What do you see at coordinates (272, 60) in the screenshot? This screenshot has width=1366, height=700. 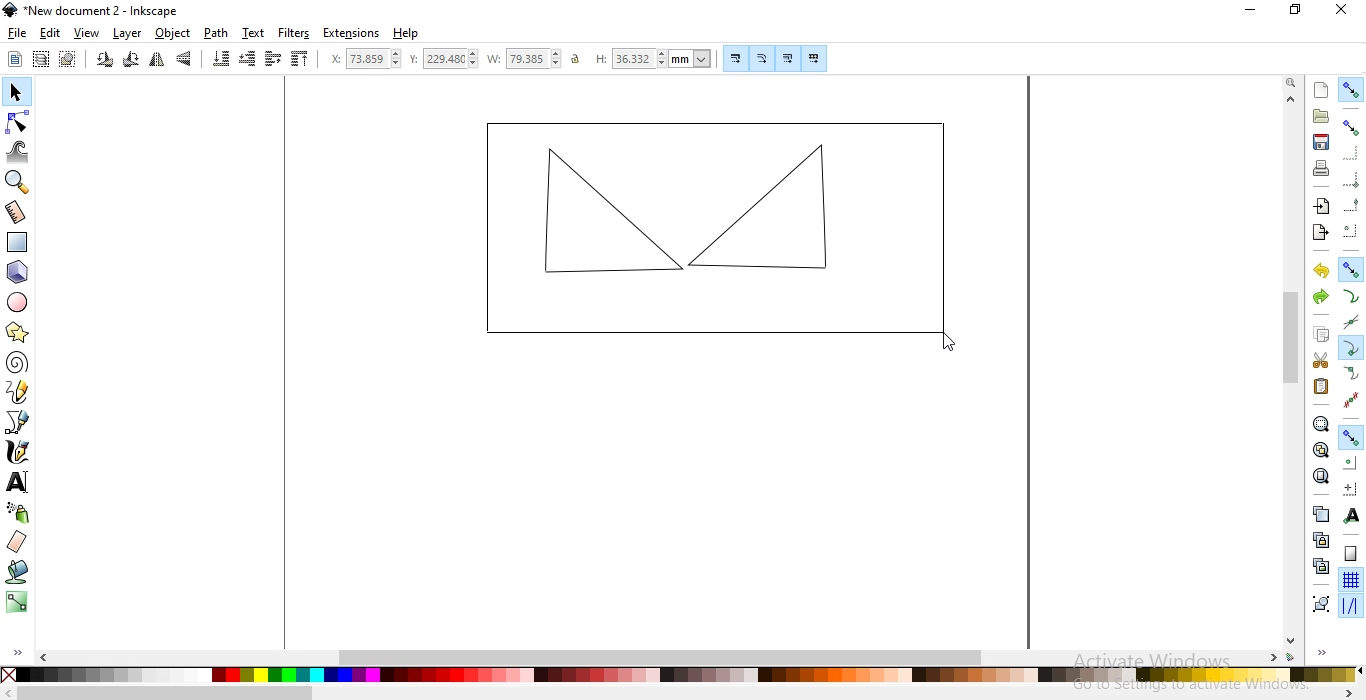 I see `raise selection one step` at bounding box center [272, 60].